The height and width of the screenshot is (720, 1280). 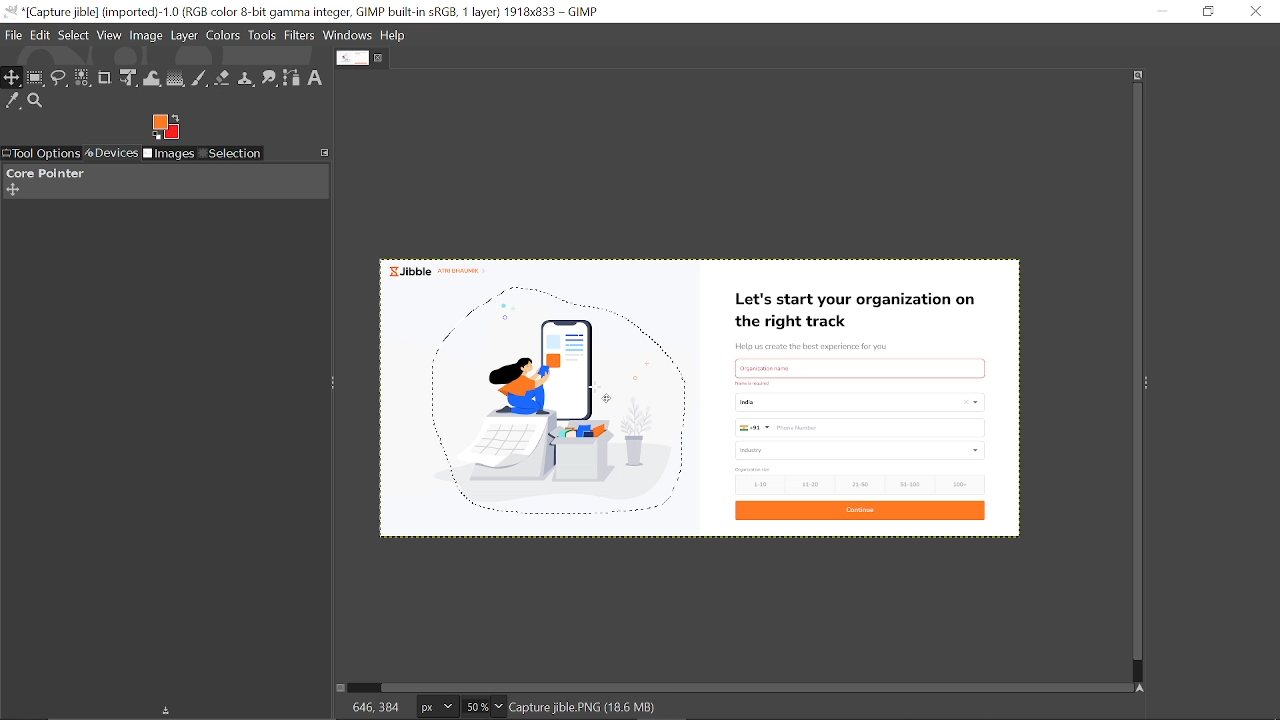 What do you see at coordinates (859, 312) in the screenshot?
I see `Let's start your organization on
the right track` at bounding box center [859, 312].